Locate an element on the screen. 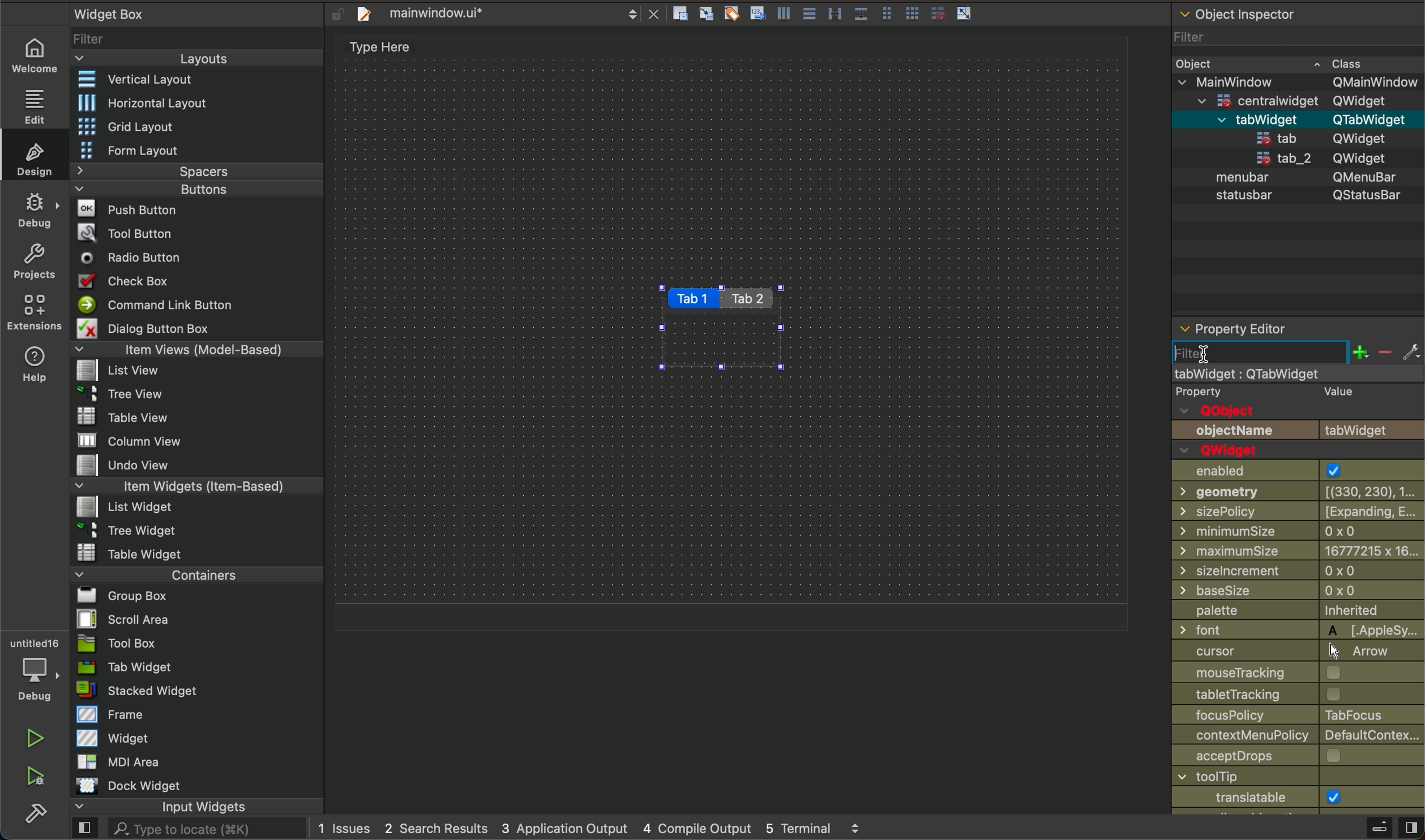 Image resolution: width=1425 pixels, height=840 pixels. focus is located at coordinates (1300, 716).